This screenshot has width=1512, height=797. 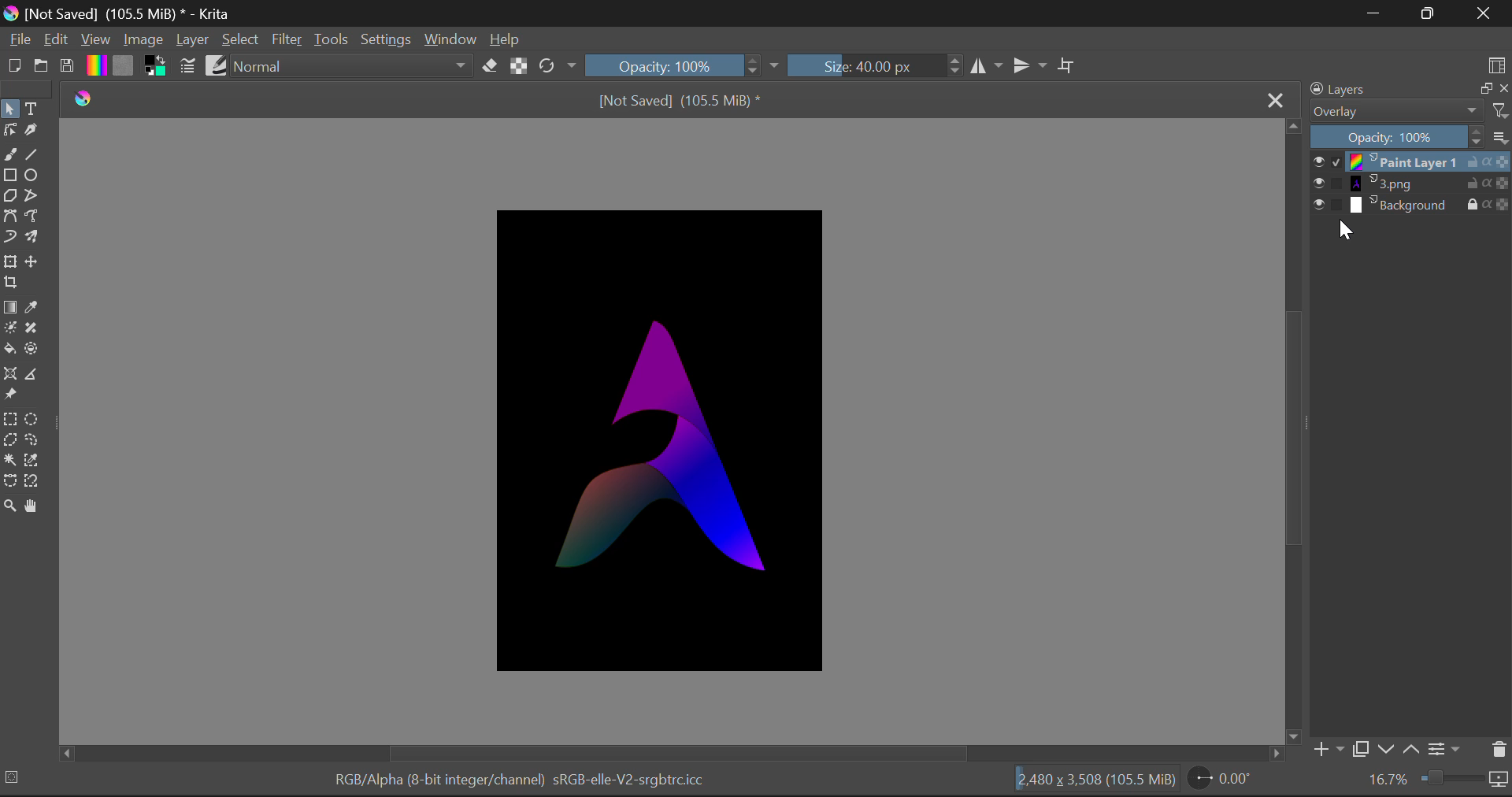 What do you see at coordinates (11, 419) in the screenshot?
I see `Rectangle Selection` at bounding box center [11, 419].